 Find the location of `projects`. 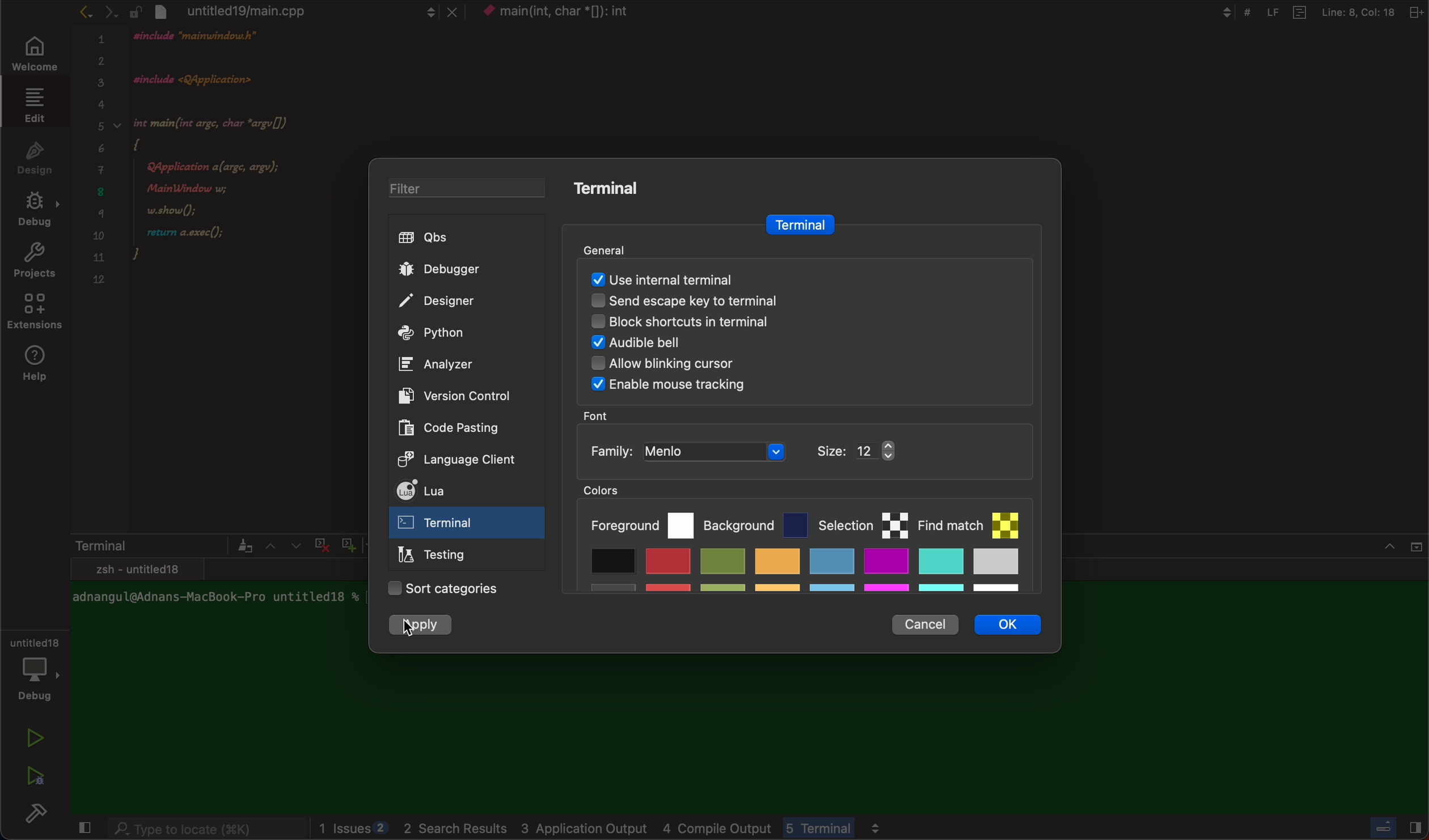

projects is located at coordinates (34, 263).